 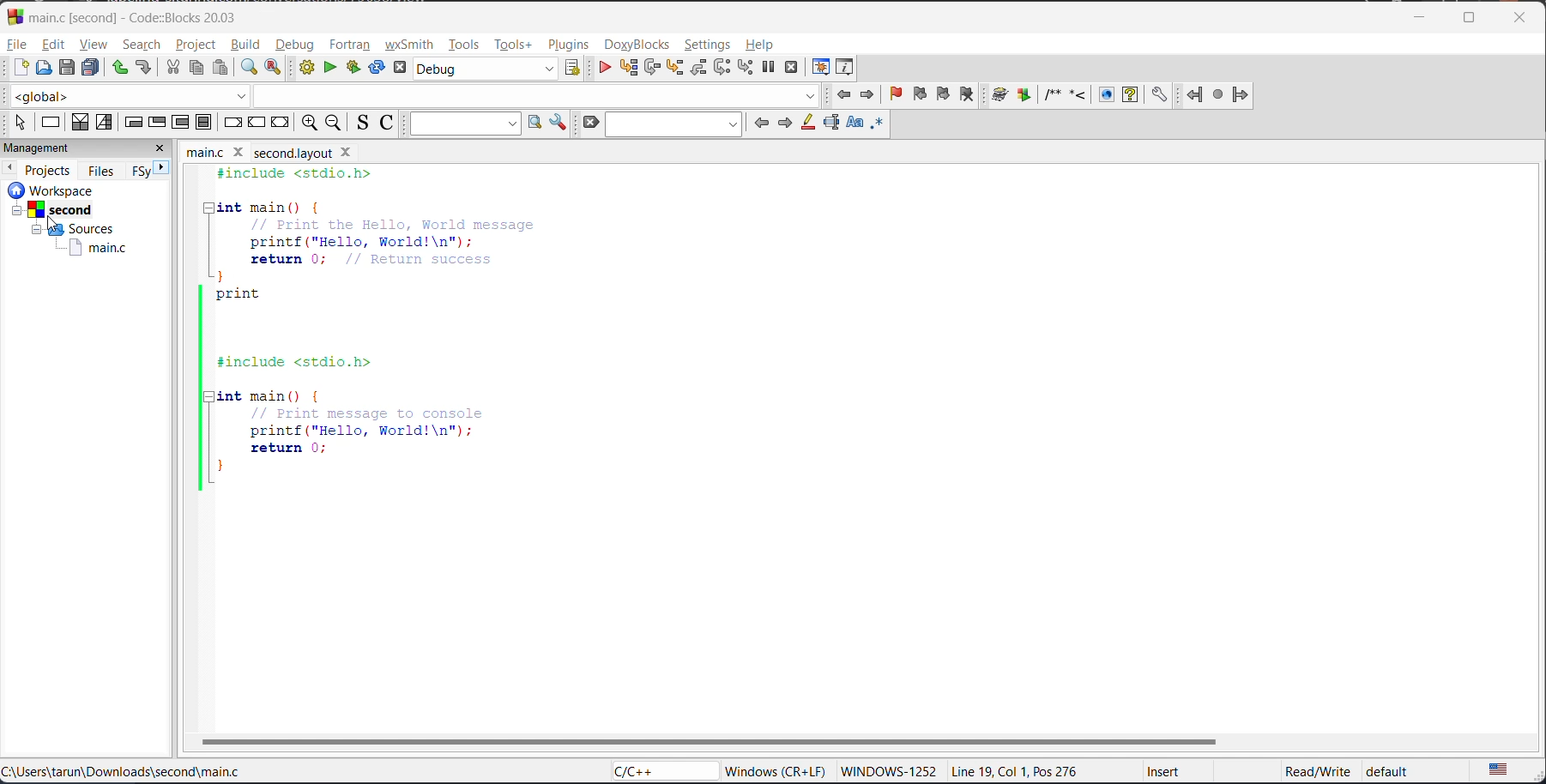 I want to click on build, so click(x=306, y=67).